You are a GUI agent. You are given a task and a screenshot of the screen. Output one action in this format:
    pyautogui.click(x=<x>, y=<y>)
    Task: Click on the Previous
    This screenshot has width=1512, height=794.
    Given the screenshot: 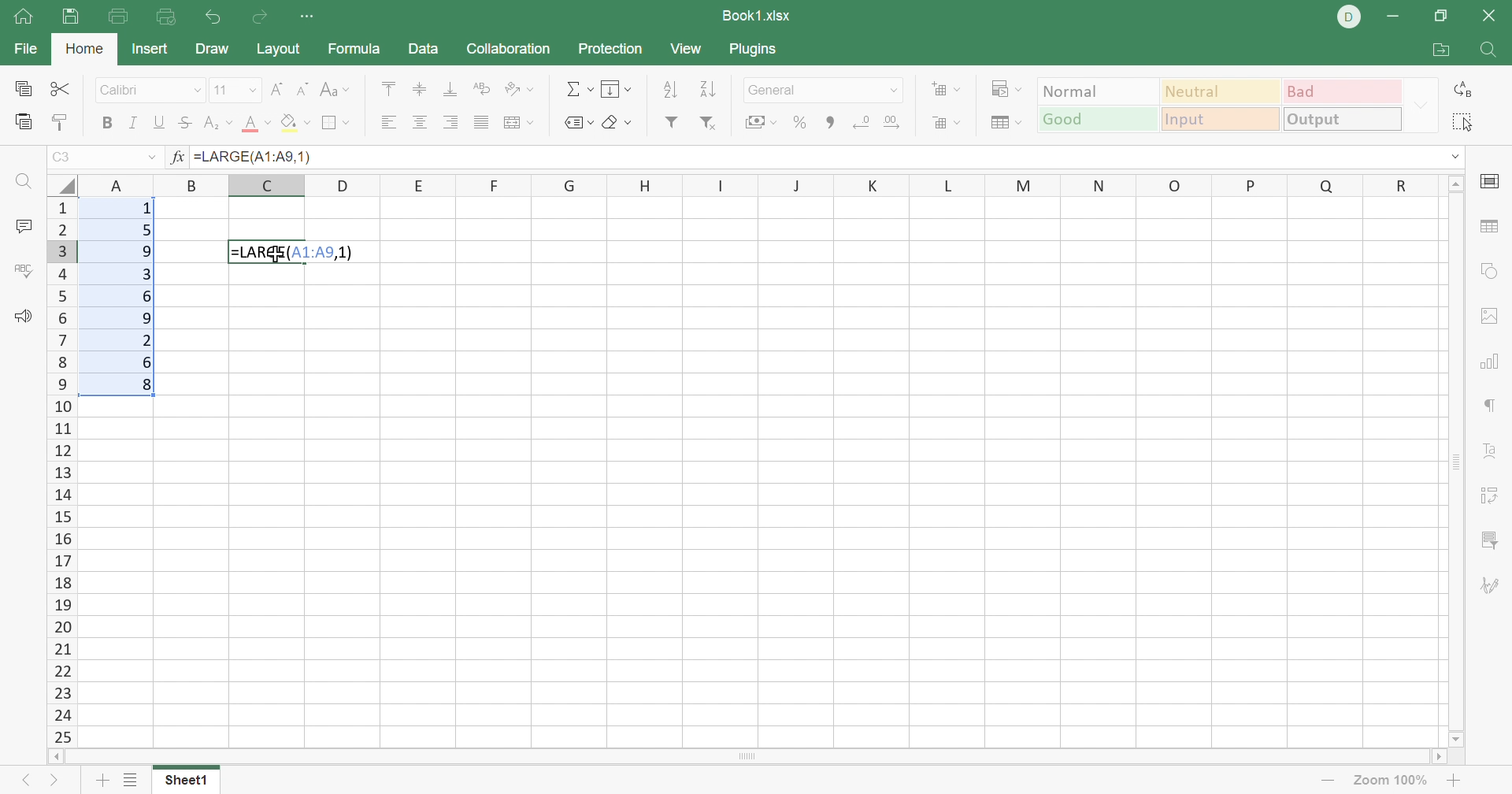 What is the action you would take?
    pyautogui.click(x=20, y=782)
    